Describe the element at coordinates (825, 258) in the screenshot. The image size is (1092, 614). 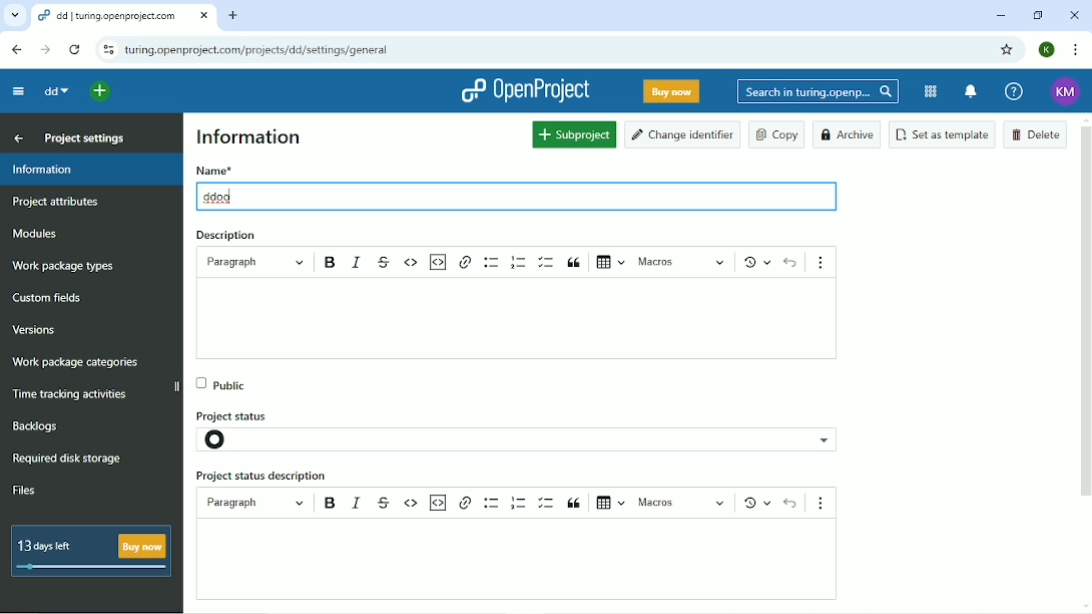
I see `Show more items` at that location.